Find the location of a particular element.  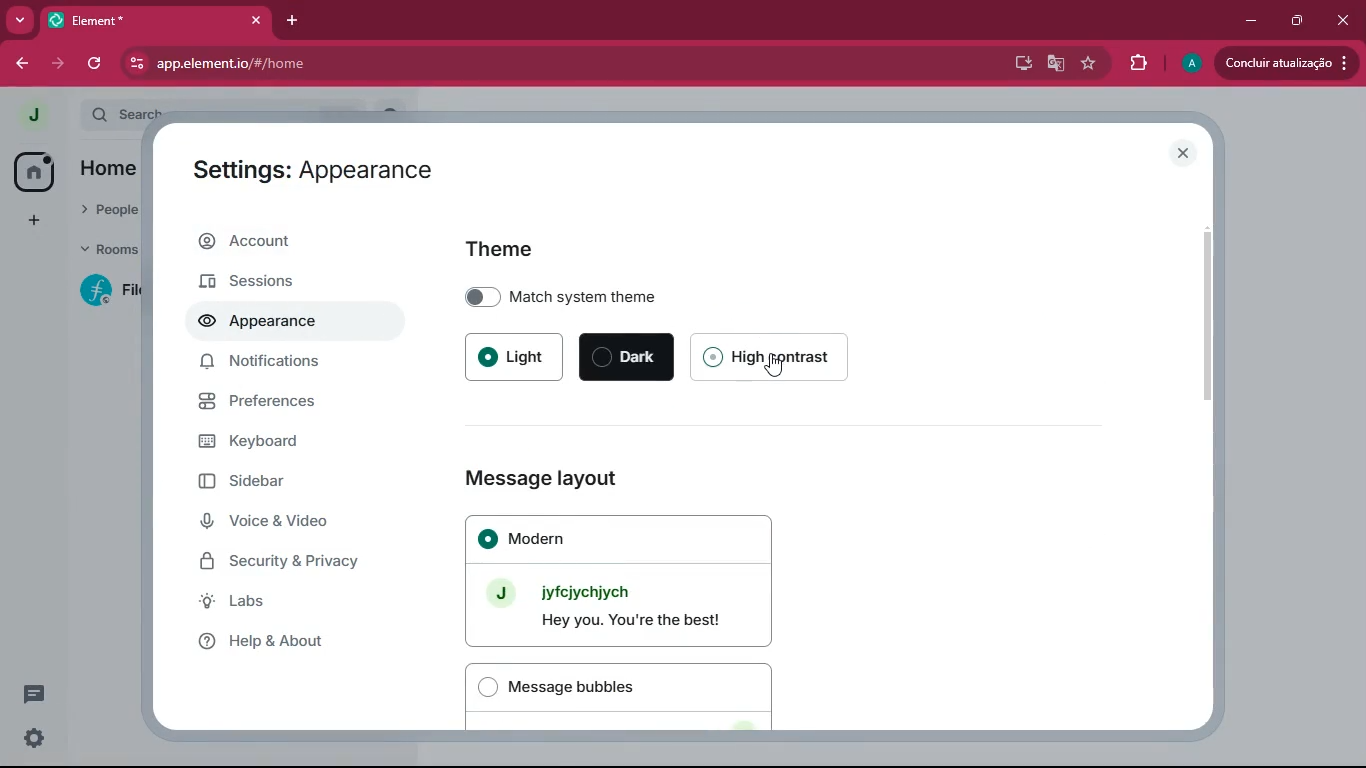

close is located at coordinates (1345, 22).